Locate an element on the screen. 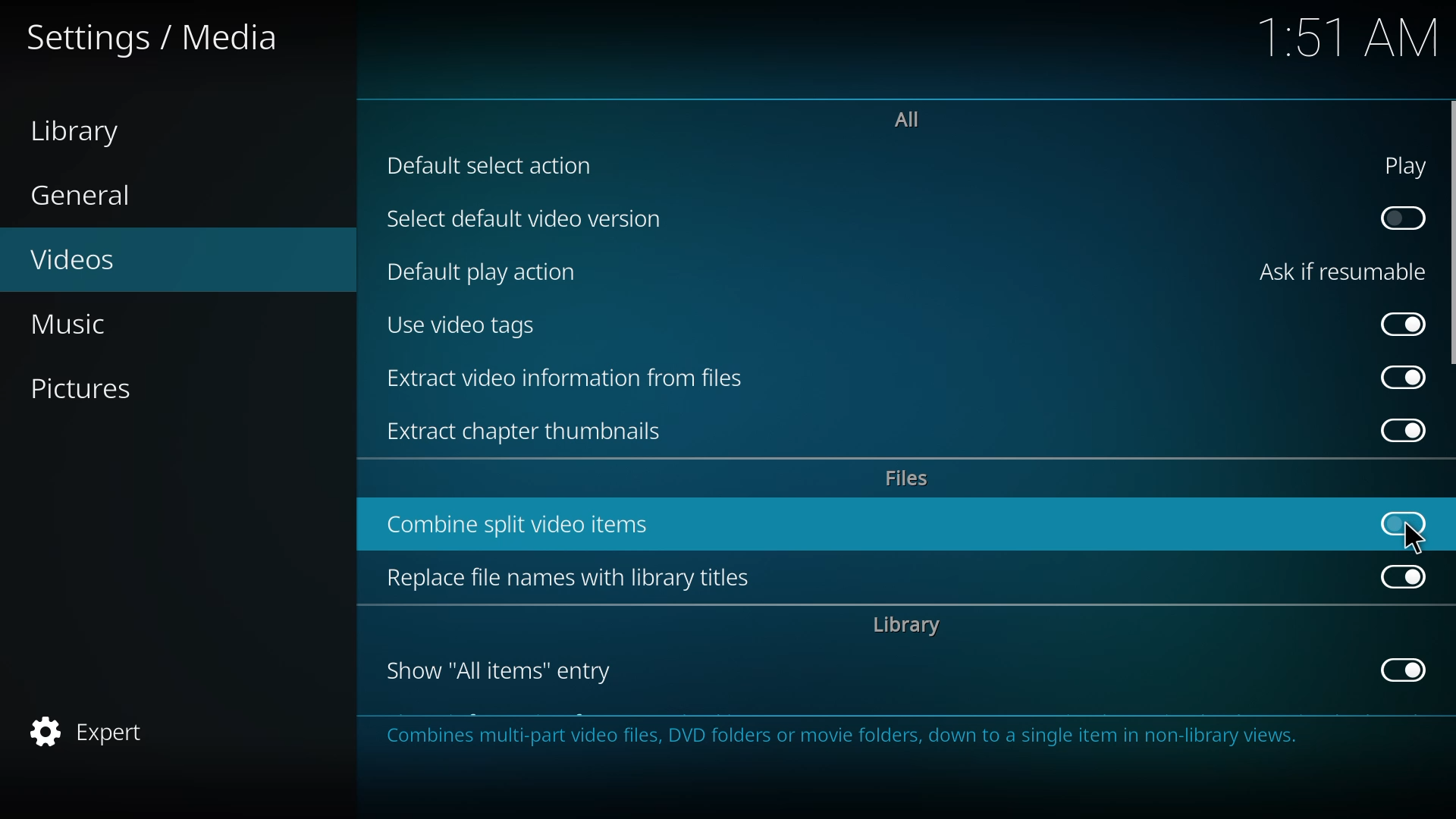 The width and height of the screenshot is (1456, 819). videos is located at coordinates (88, 256).